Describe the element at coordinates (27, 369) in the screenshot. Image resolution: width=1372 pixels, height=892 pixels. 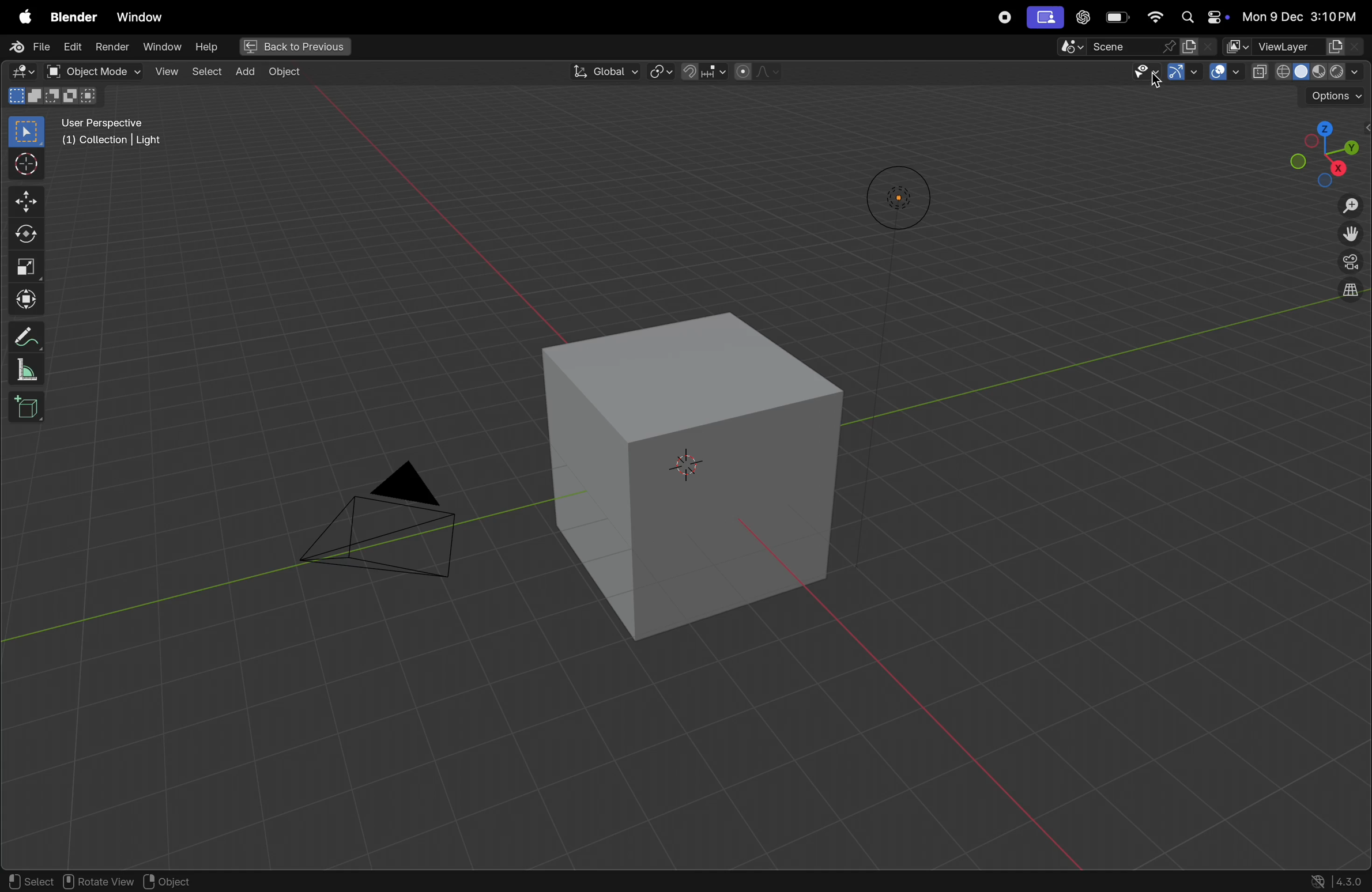
I see `scale` at that location.